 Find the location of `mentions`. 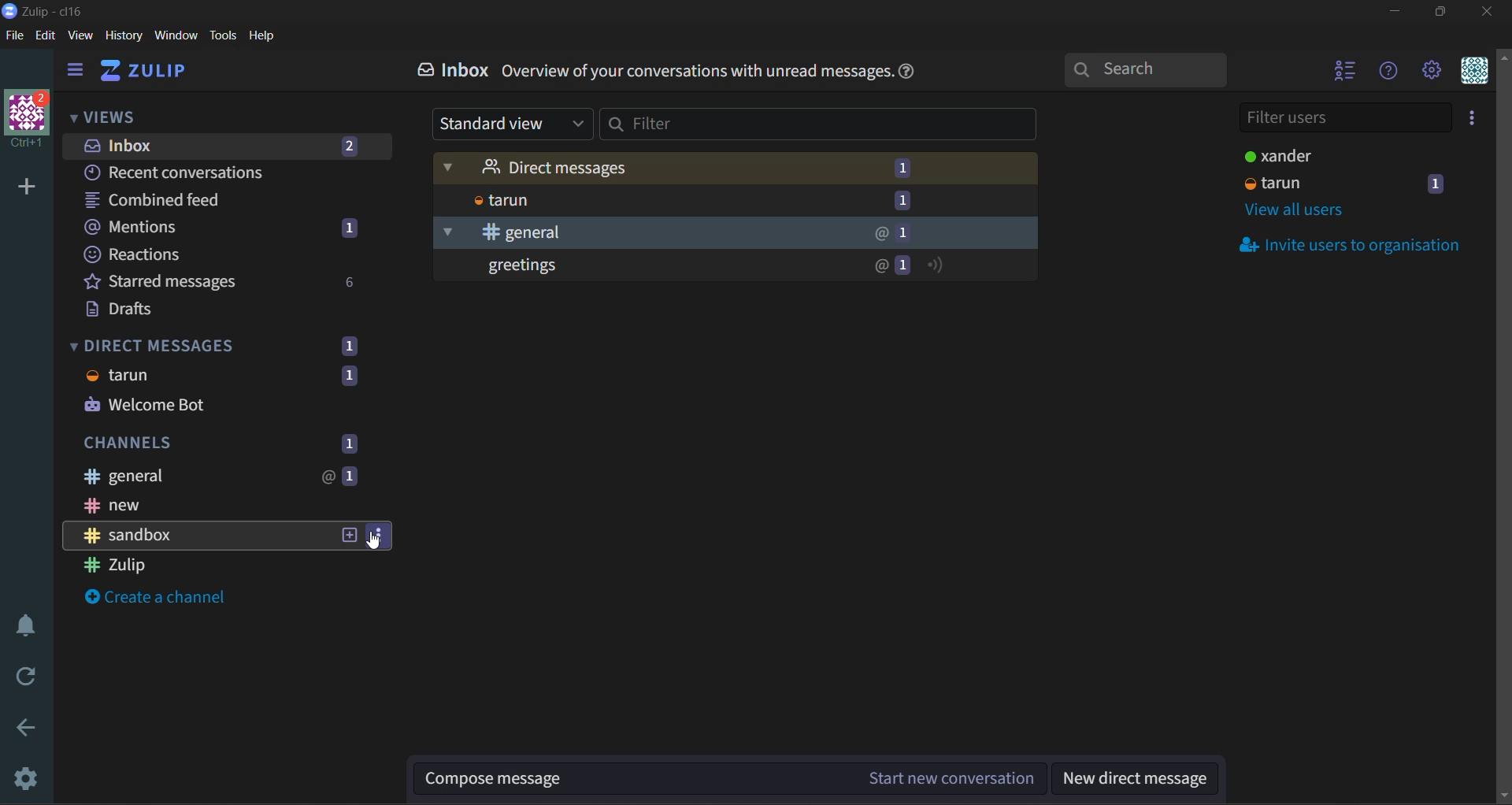

mentions is located at coordinates (226, 228).